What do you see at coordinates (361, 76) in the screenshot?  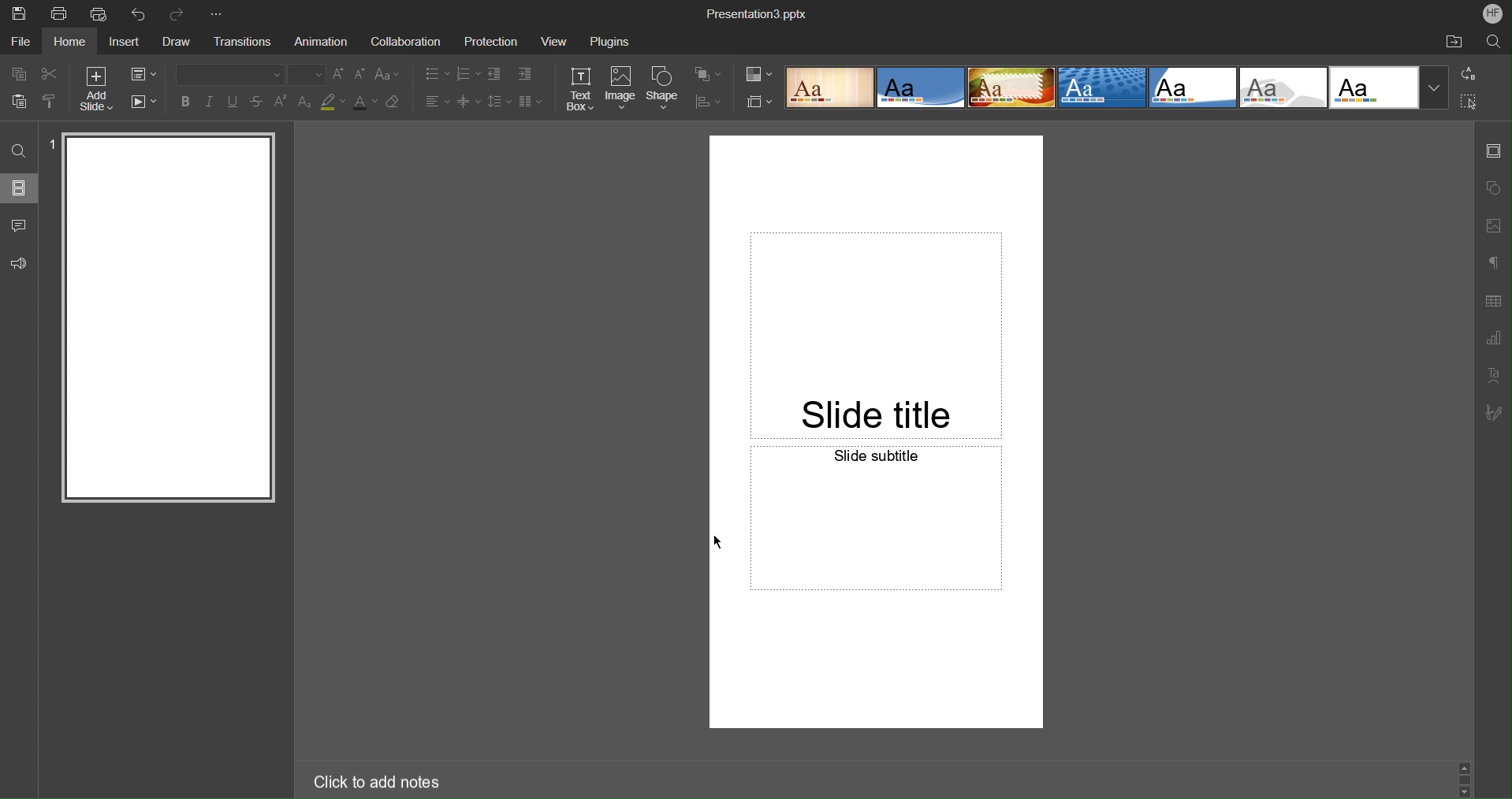 I see `Decrease size` at bounding box center [361, 76].